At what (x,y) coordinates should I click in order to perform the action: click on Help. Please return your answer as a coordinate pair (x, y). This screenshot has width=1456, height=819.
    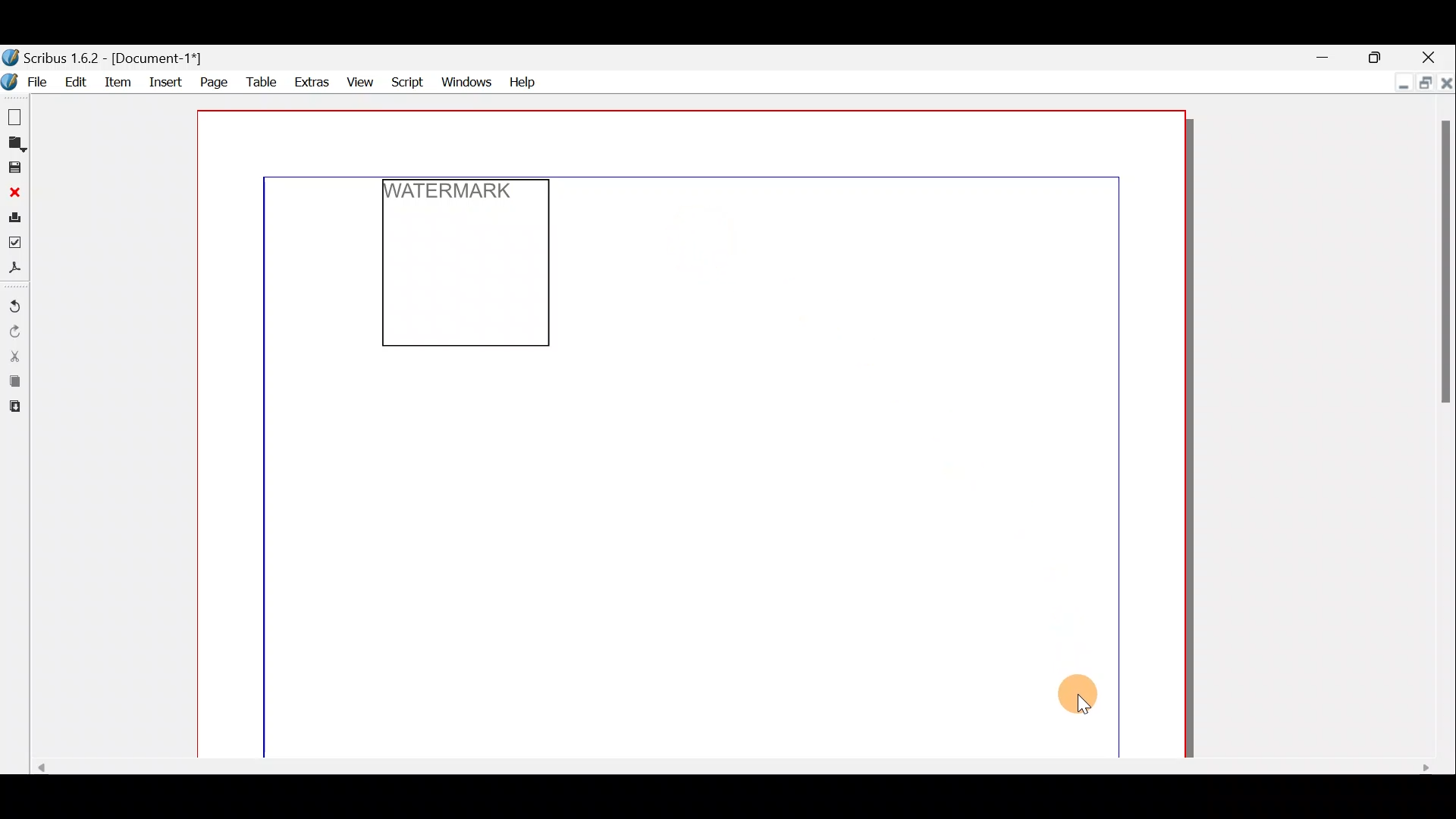
    Looking at the image, I should click on (522, 80).